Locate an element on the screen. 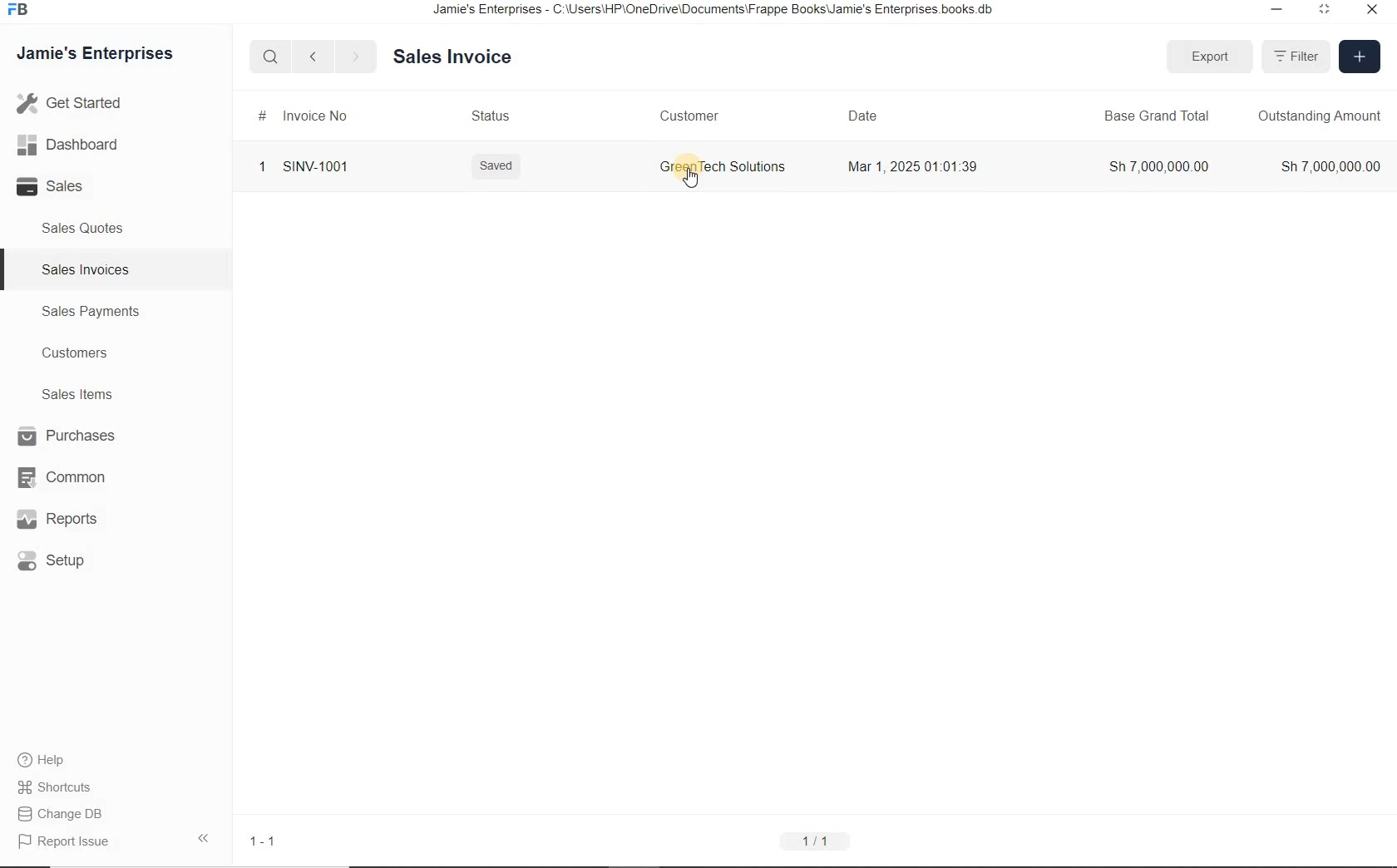 The height and width of the screenshot is (868, 1397). 1 SINV-1001 Saved GregnTech Solutions Mar 1, 2025 01:01:39 Sh 7,000,000.00 Sh 7,000,000.00 is located at coordinates (815, 172).